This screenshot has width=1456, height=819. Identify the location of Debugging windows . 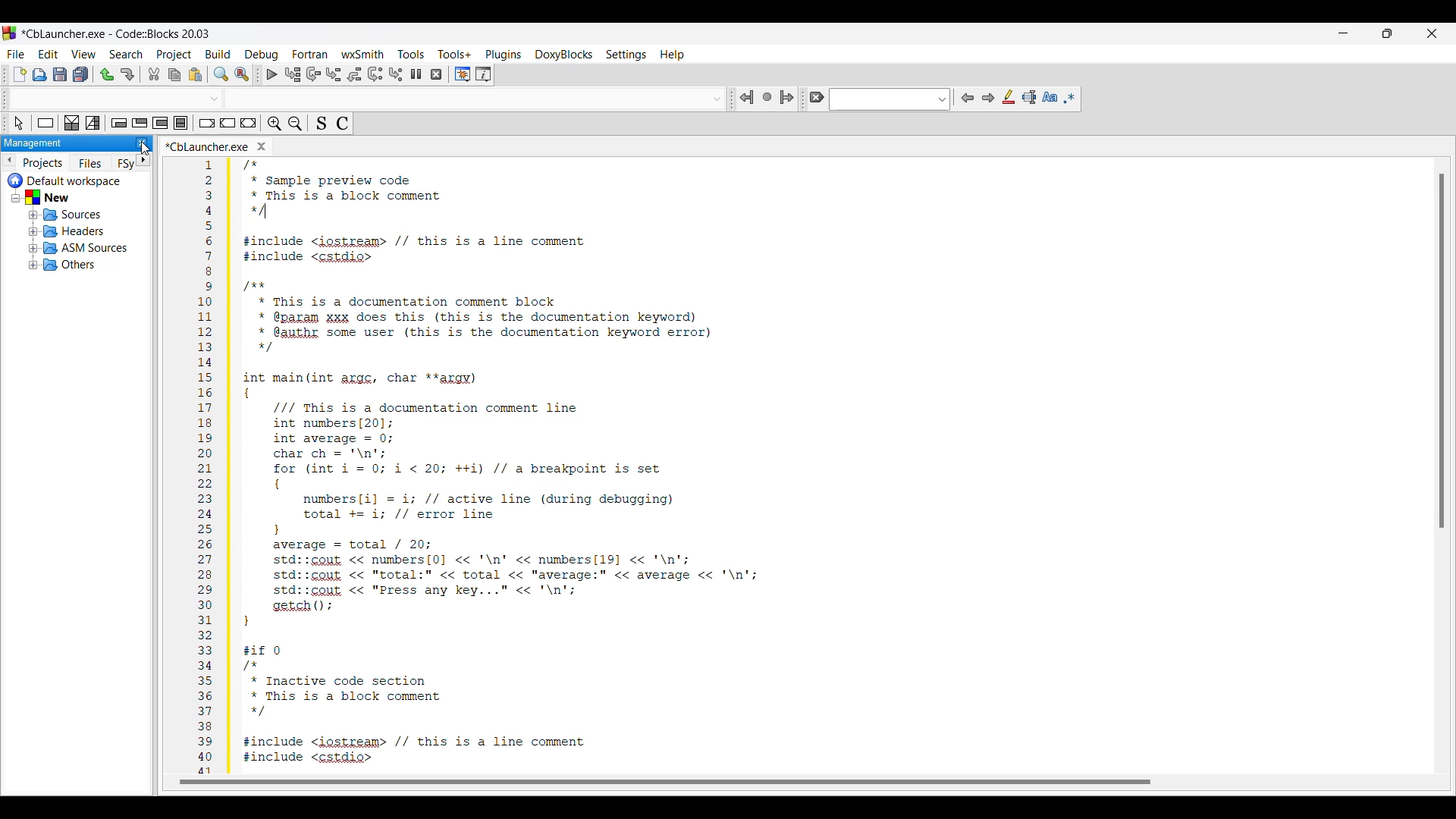
(463, 74).